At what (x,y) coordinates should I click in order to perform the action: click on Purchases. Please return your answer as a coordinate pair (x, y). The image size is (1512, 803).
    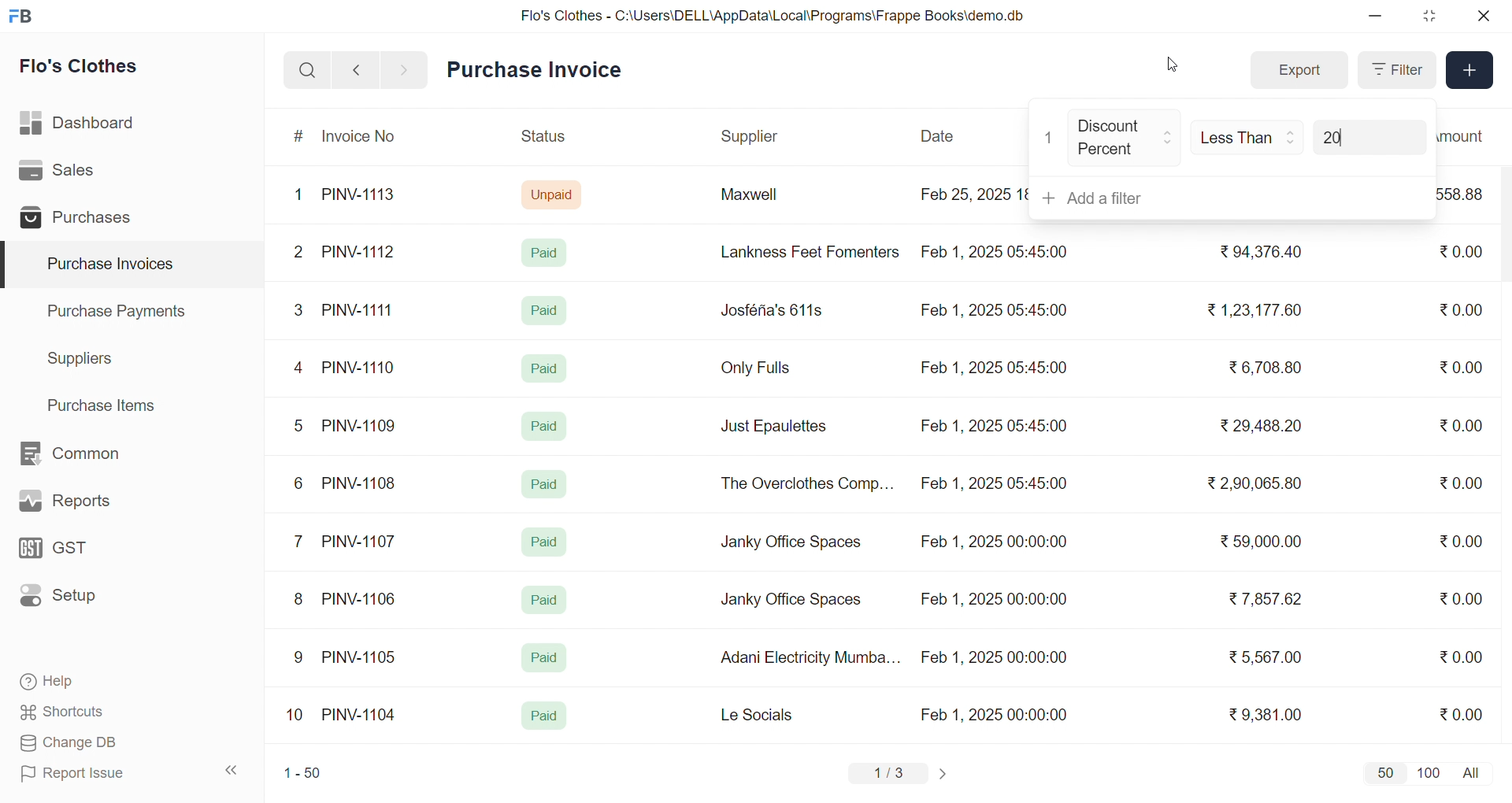
    Looking at the image, I should click on (81, 220).